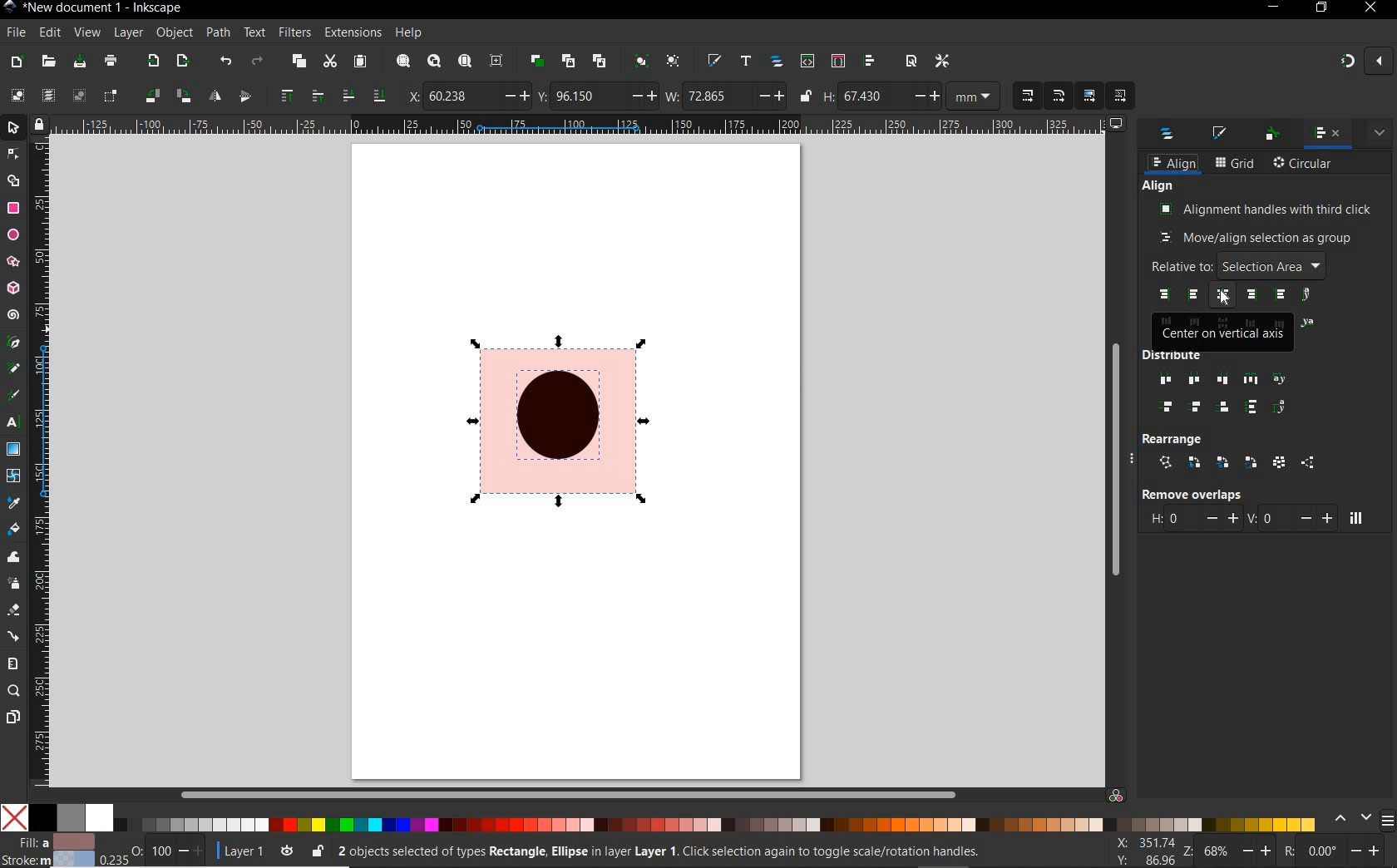 Image resolution: width=1397 pixels, height=868 pixels. Describe the element at coordinates (1170, 408) in the screenshot. I see `EVEN TOP EDGES` at that location.